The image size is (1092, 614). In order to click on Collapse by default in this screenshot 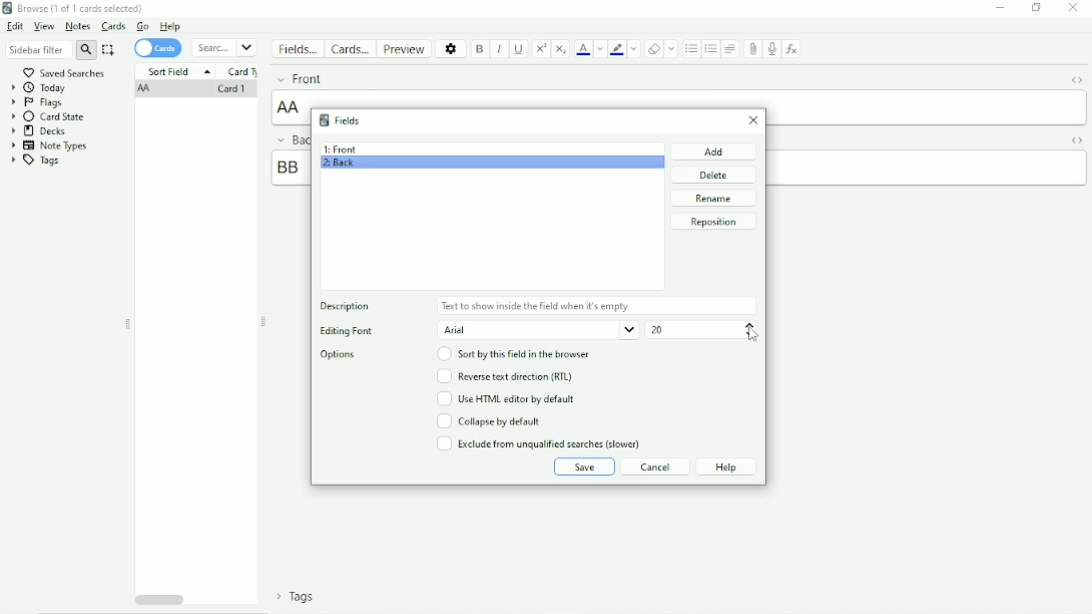, I will do `click(489, 421)`.